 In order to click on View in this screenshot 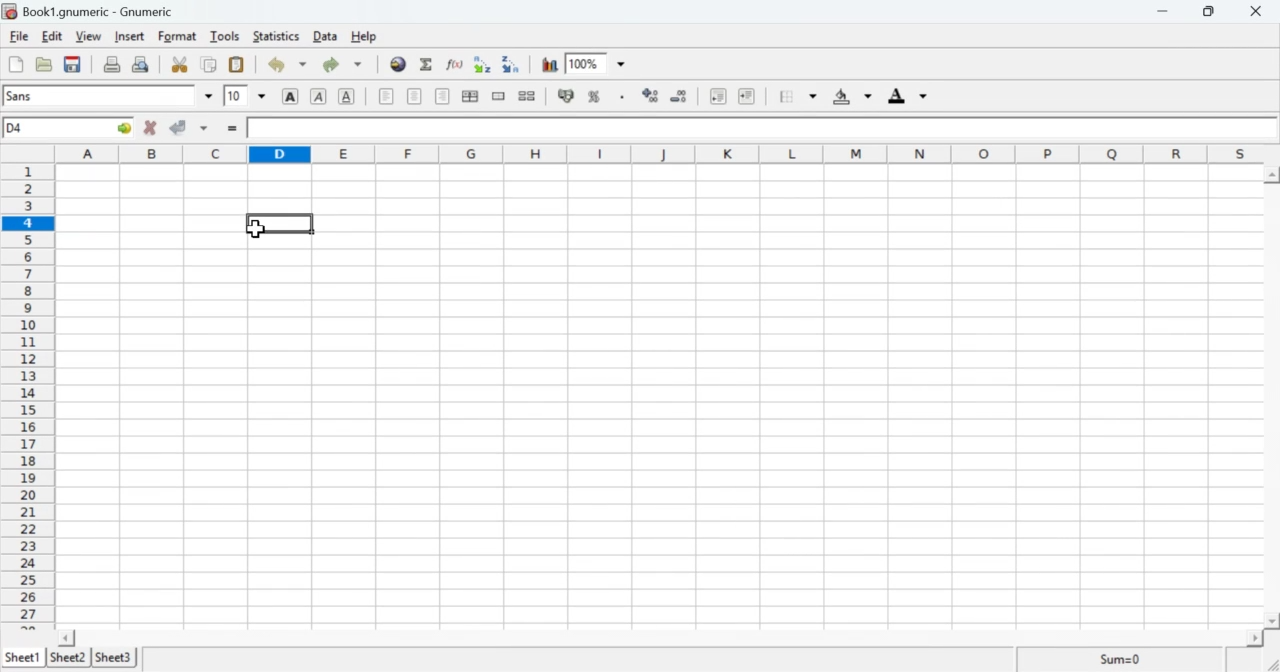, I will do `click(87, 37)`.